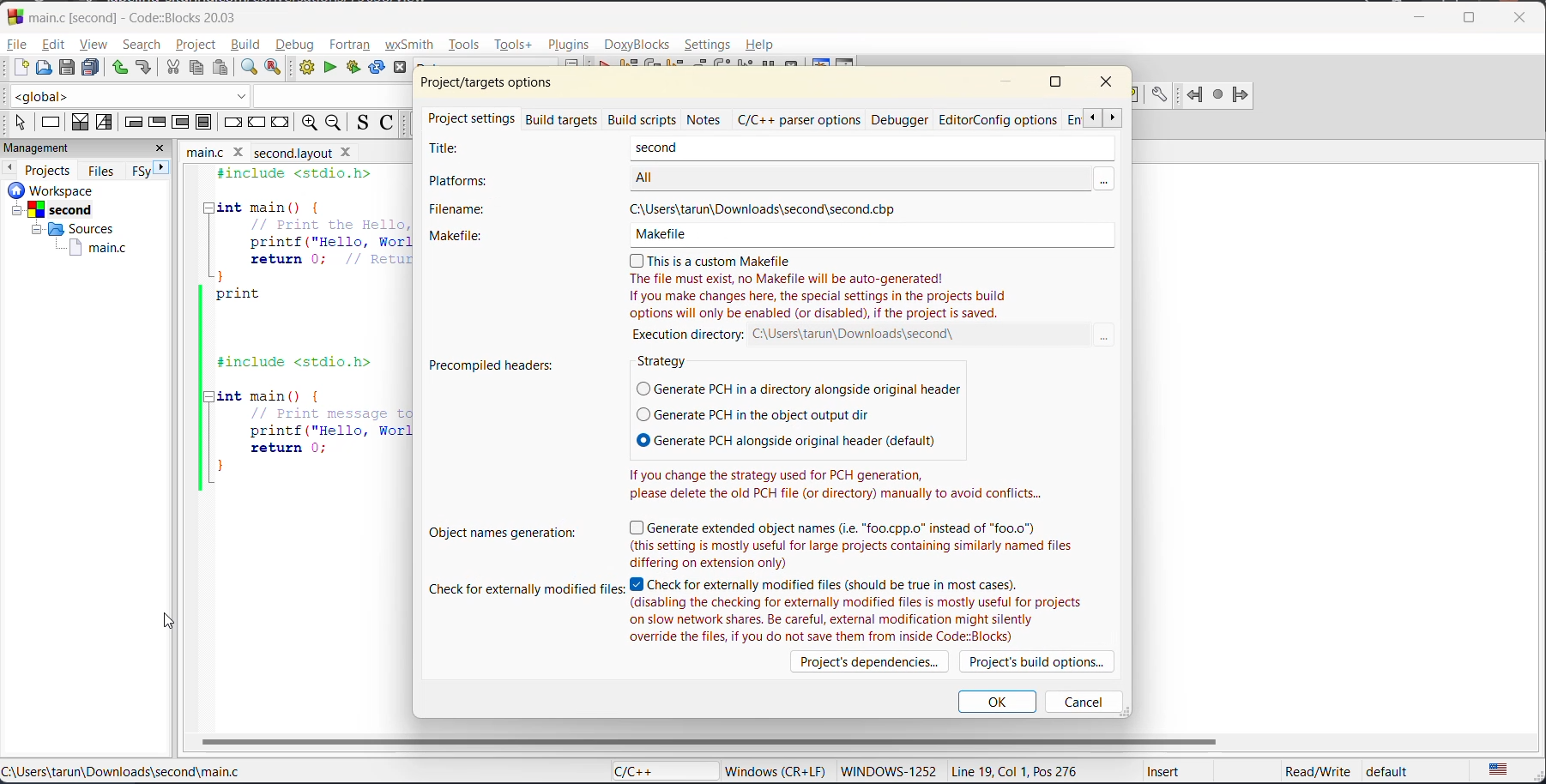  Describe the element at coordinates (306, 67) in the screenshot. I see `build` at that location.